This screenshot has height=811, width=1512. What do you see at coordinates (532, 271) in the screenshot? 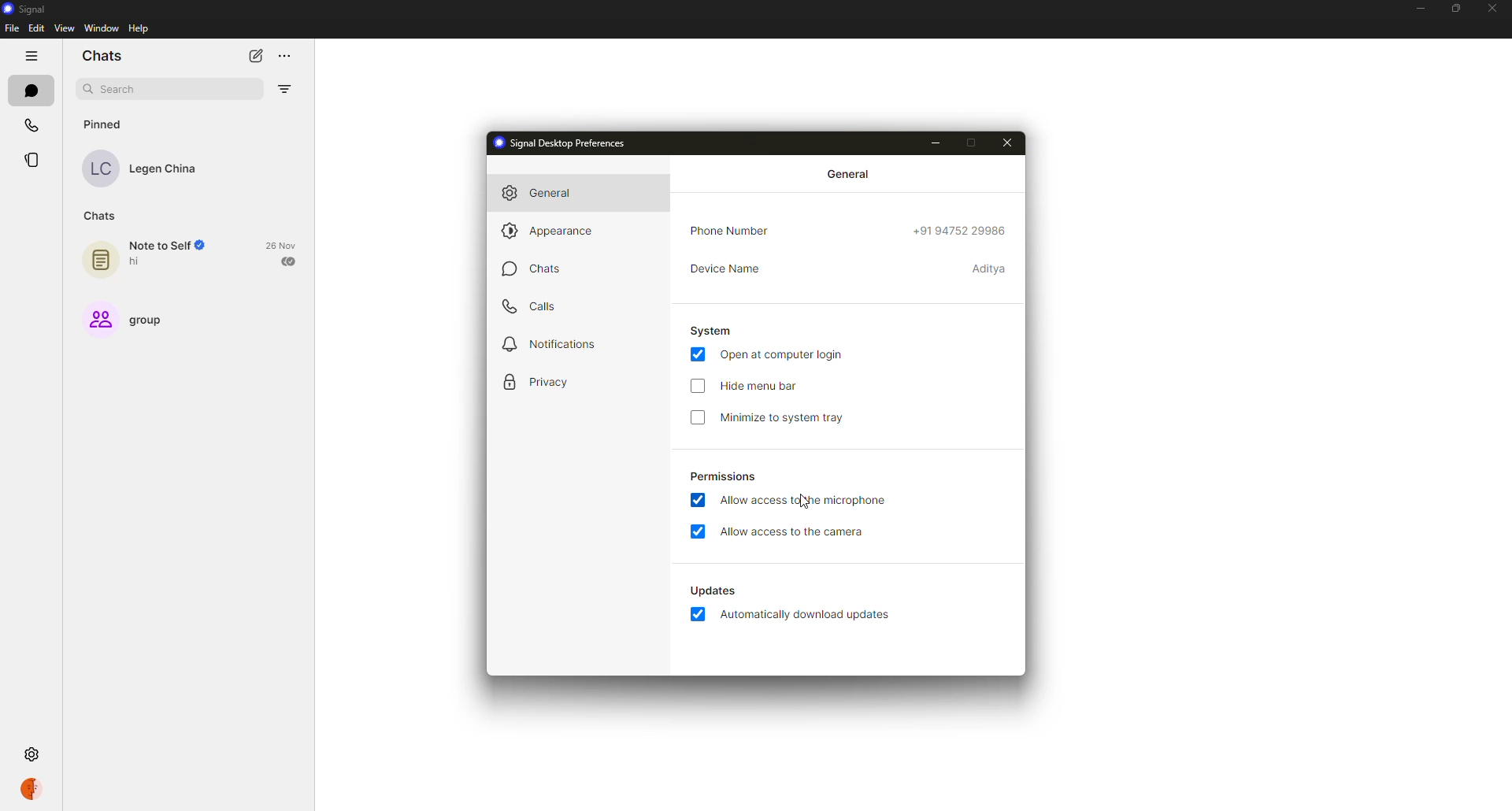
I see `chats` at bounding box center [532, 271].